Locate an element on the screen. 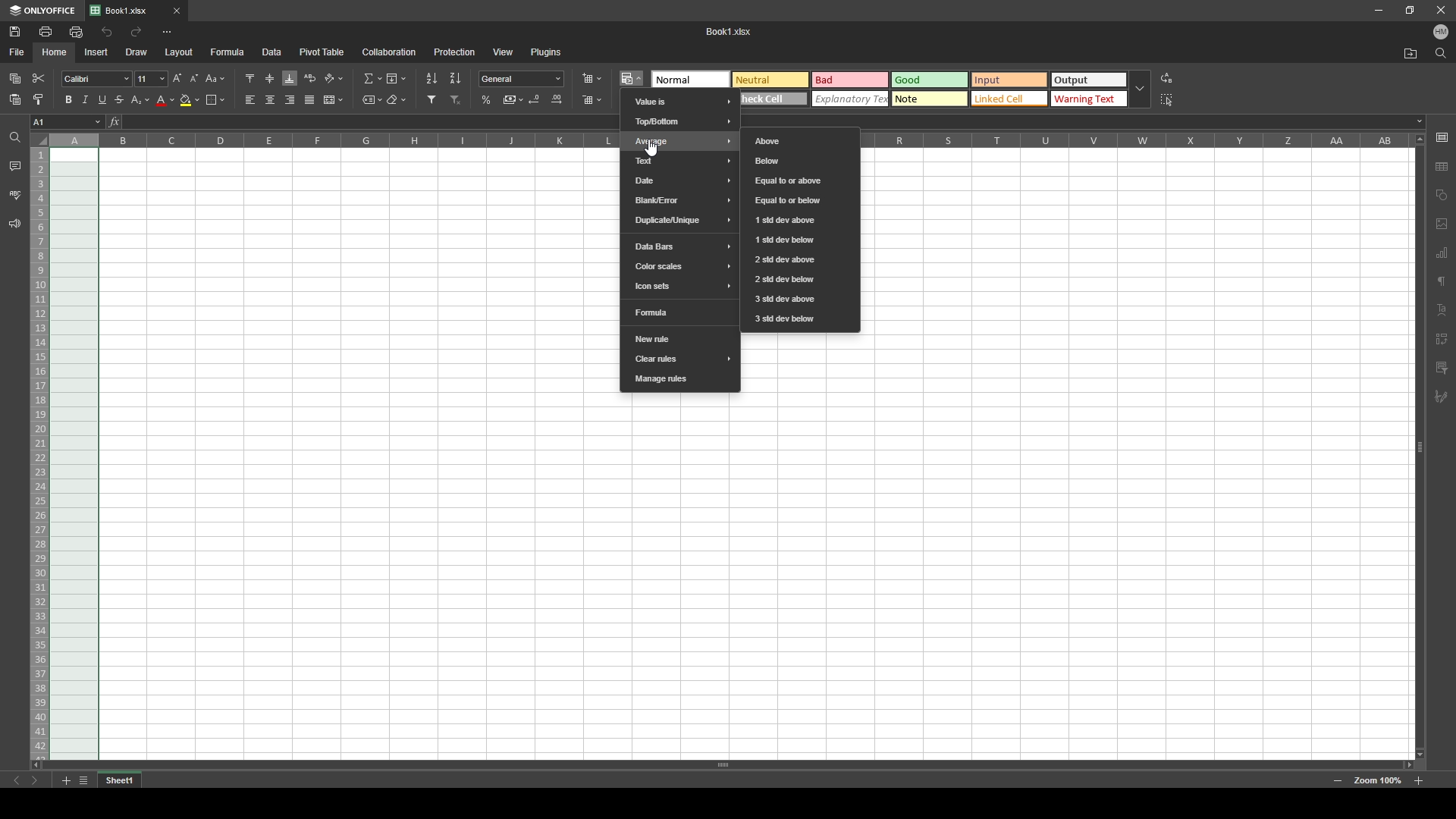 The height and width of the screenshot is (819, 1456). duplicate/unique is located at coordinates (680, 221).